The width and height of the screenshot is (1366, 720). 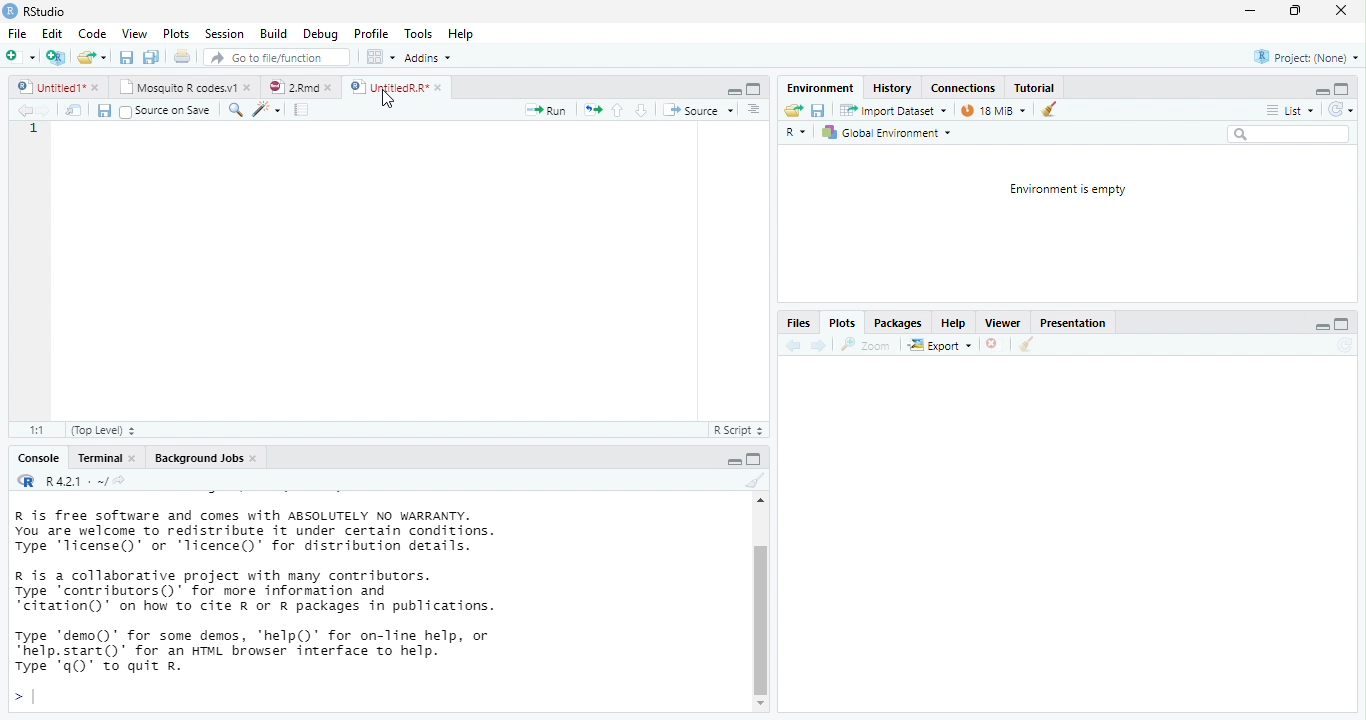 What do you see at coordinates (97, 88) in the screenshot?
I see `close` at bounding box center [97, 88].